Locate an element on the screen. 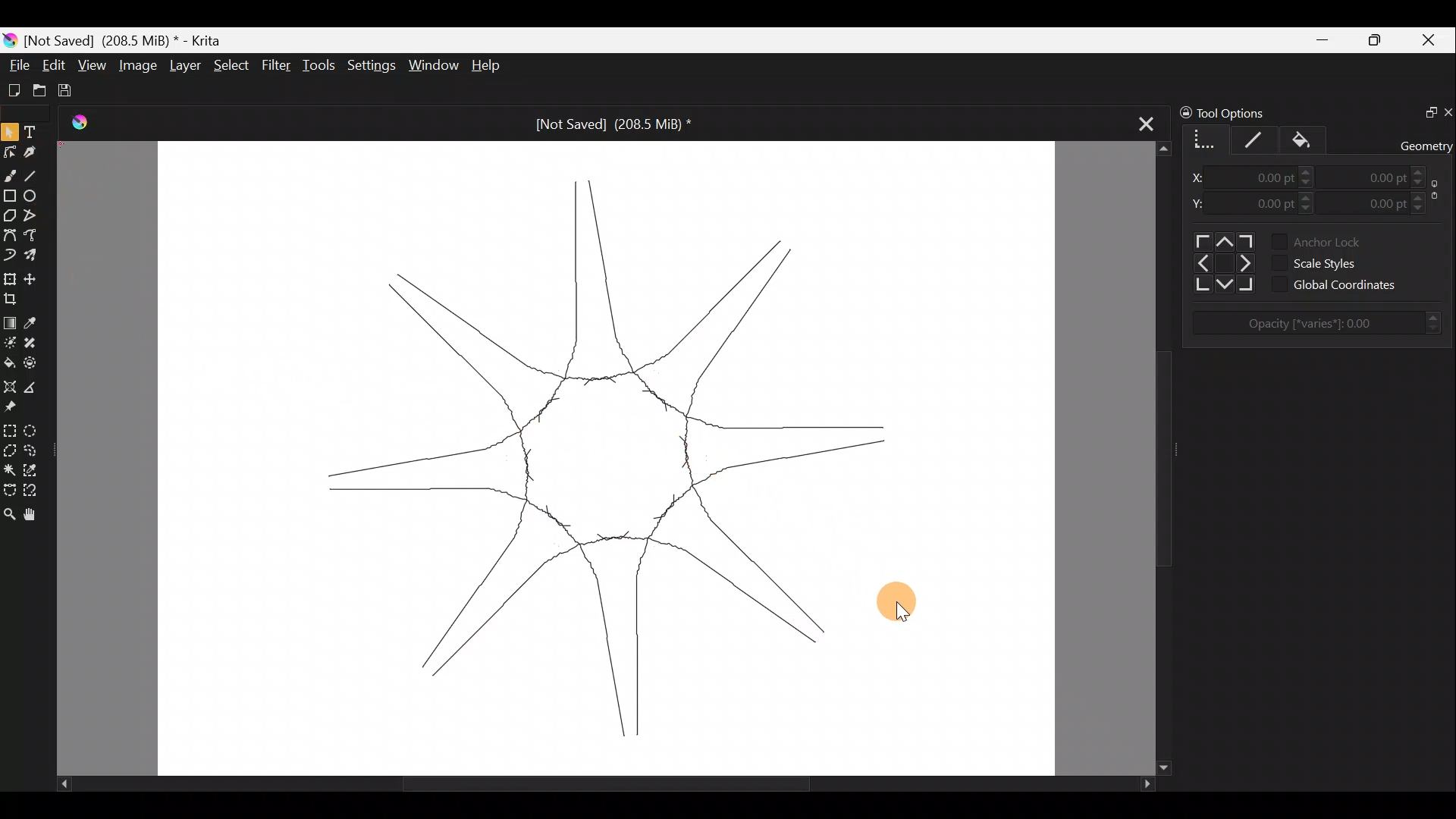 This screenshot has height=819, width=1456. Enclose and fill tool is located at coordinates (33, 363).